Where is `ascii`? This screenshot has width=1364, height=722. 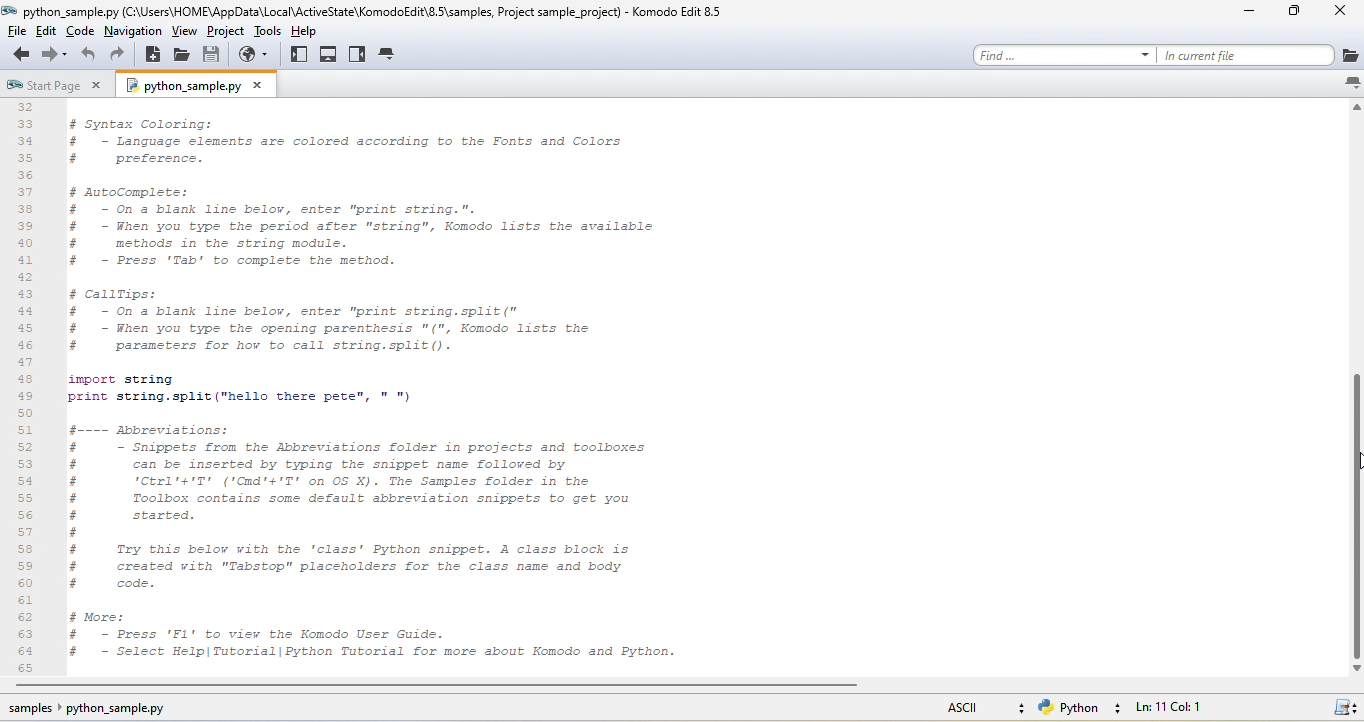
ascii is located at coordinates (973, 706).